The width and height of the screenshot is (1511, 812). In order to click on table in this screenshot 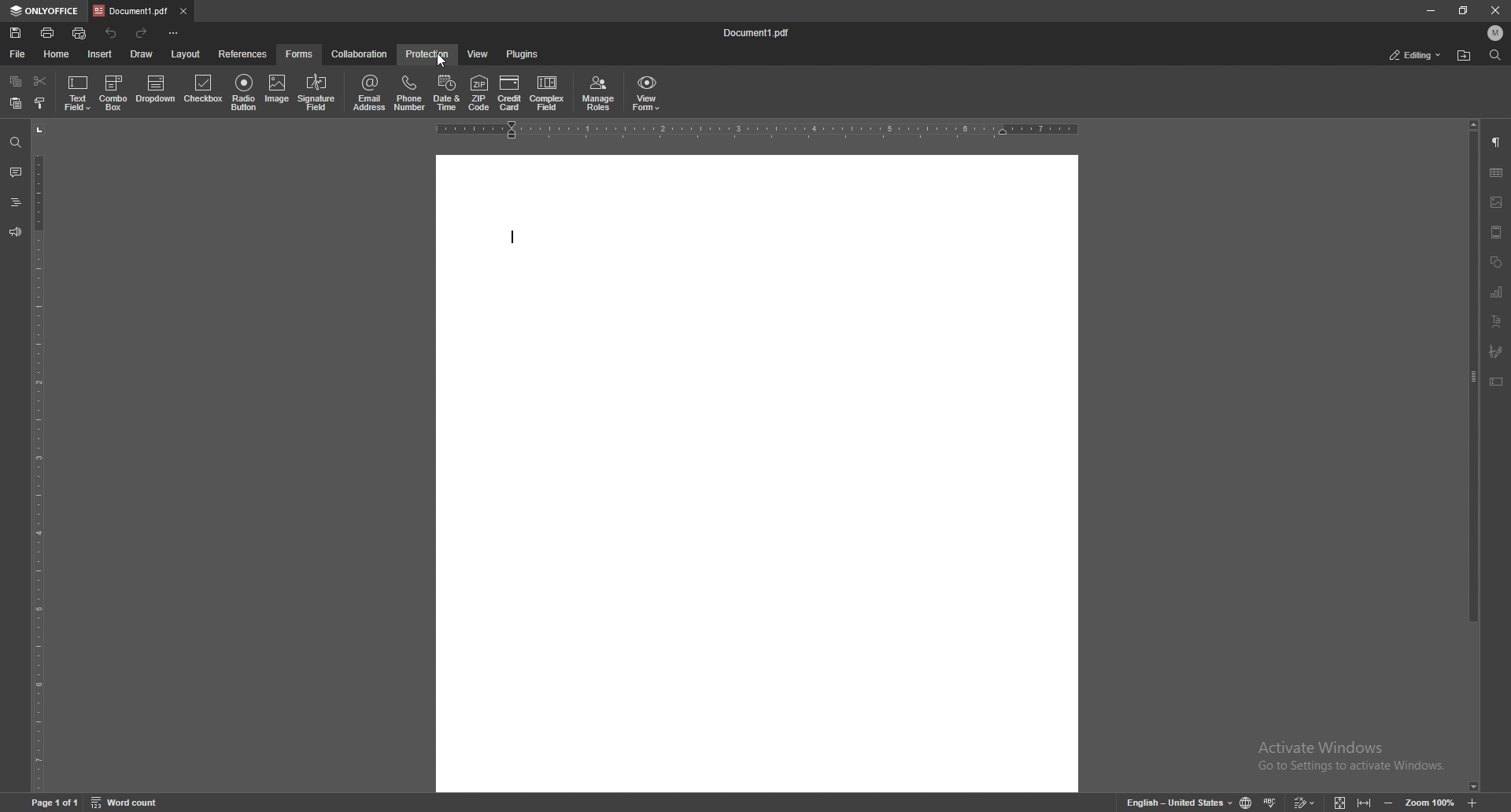, I will do `click(1498, 174)`.